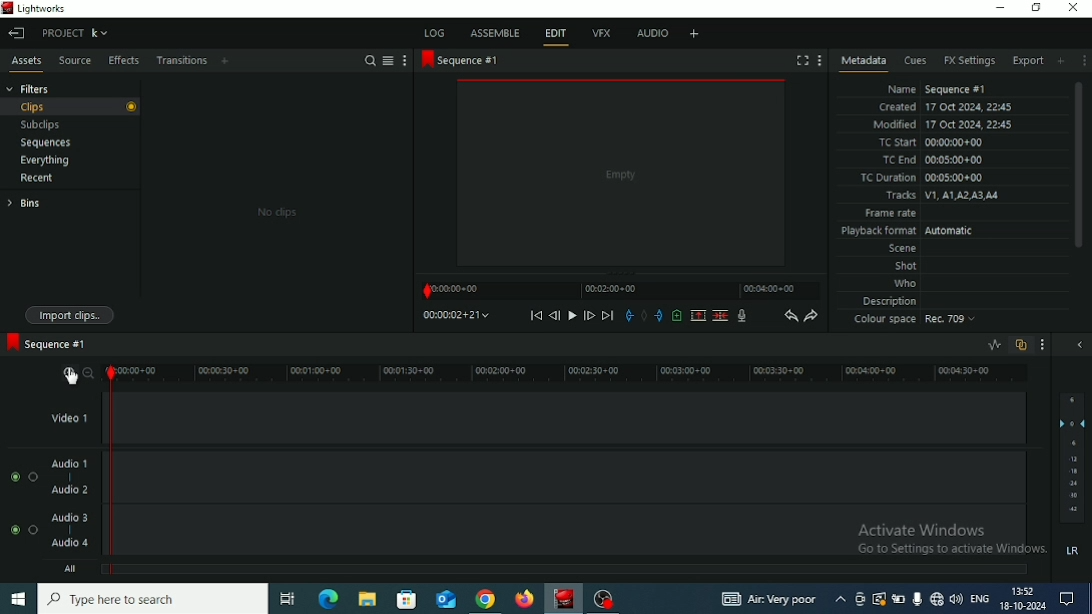  Describe the element at coordinates (227, 60) in the screenshot. I see `Add panel` at that location.